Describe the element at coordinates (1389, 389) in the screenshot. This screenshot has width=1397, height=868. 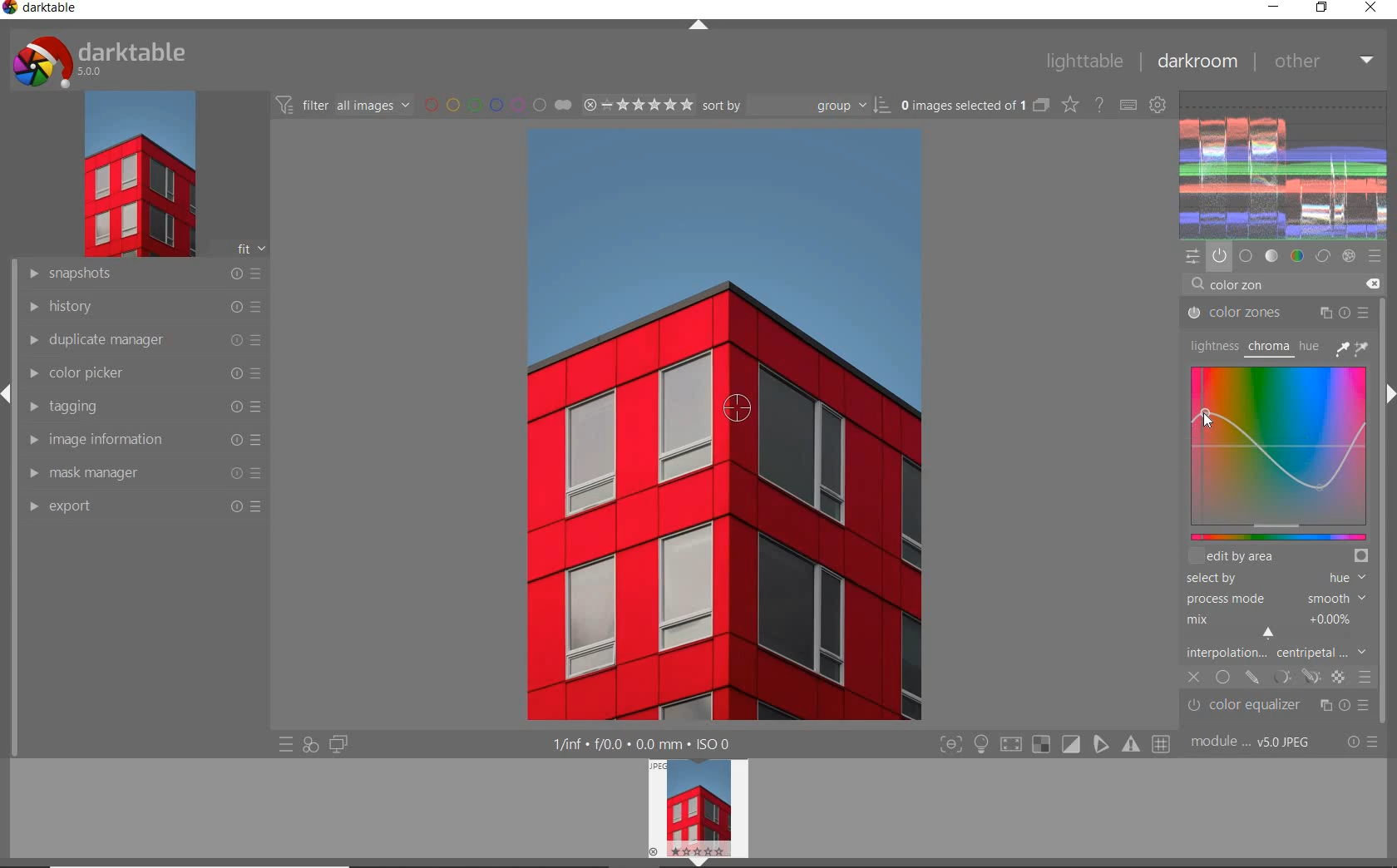
I see `expand/collapse` at that location.